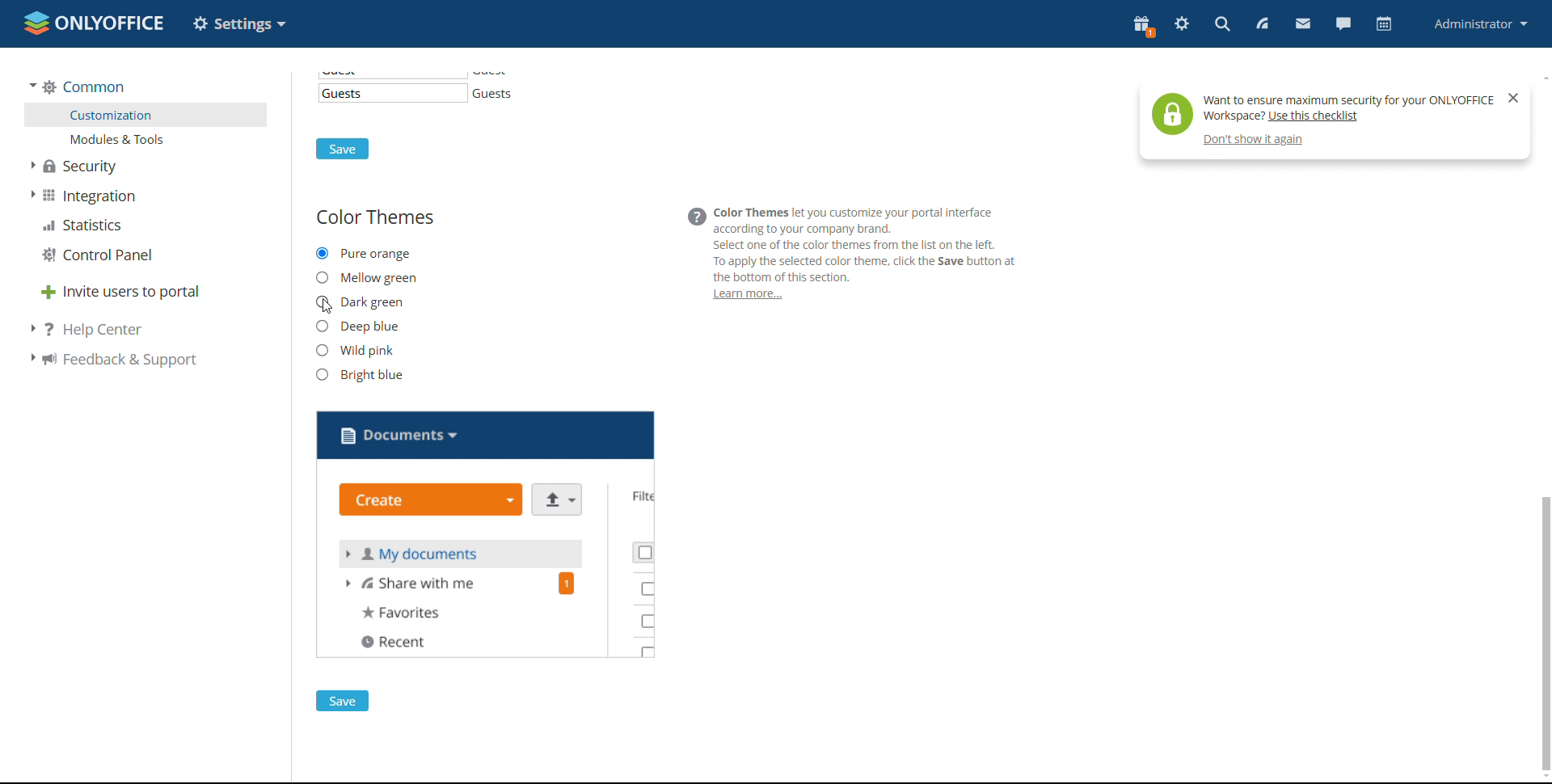  Describe the element at coordinates (1221, 23) in the screenshot. I see `search` at that location.